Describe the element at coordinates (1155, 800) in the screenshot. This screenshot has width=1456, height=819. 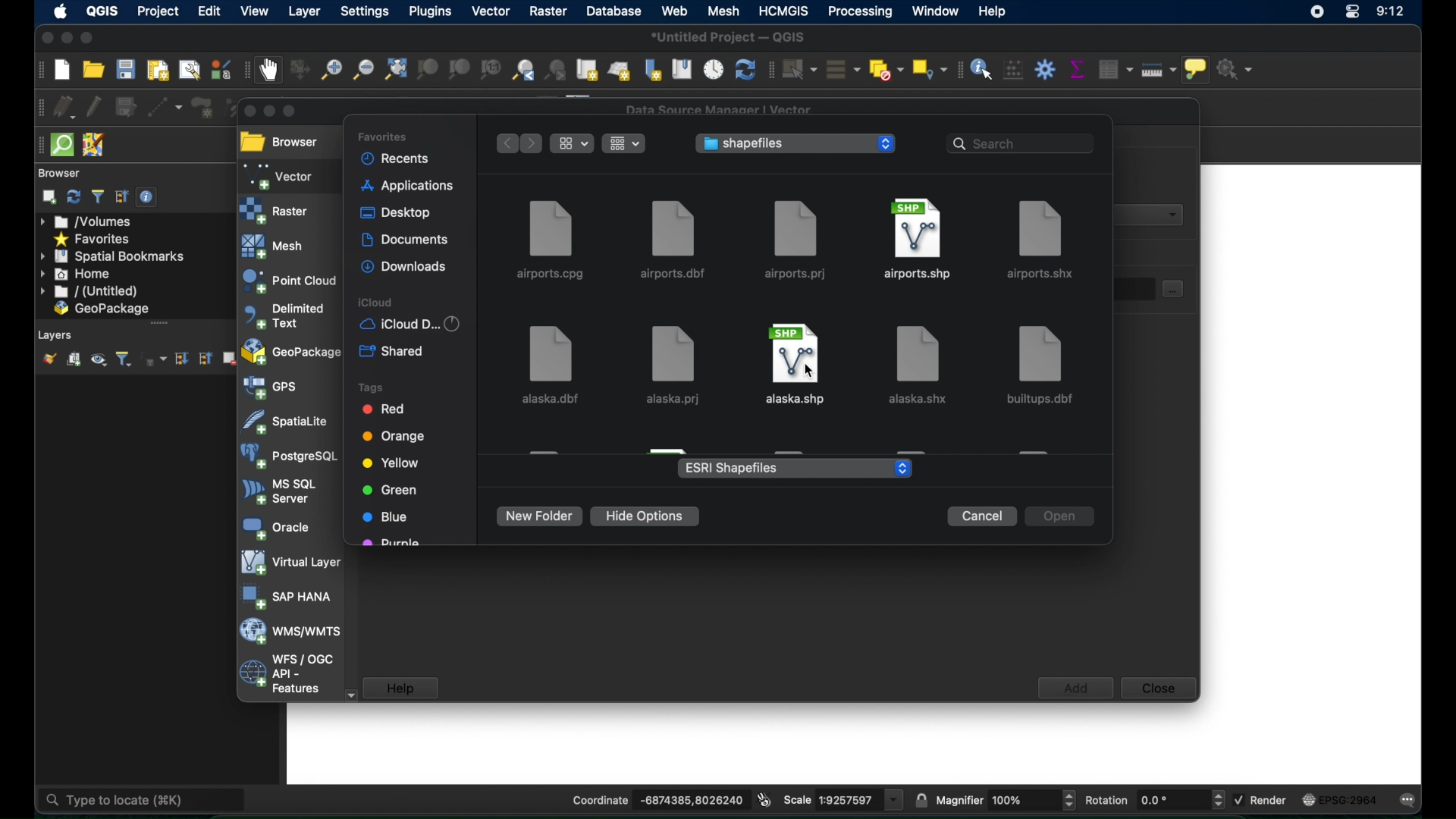
I see `rotation` at that location.